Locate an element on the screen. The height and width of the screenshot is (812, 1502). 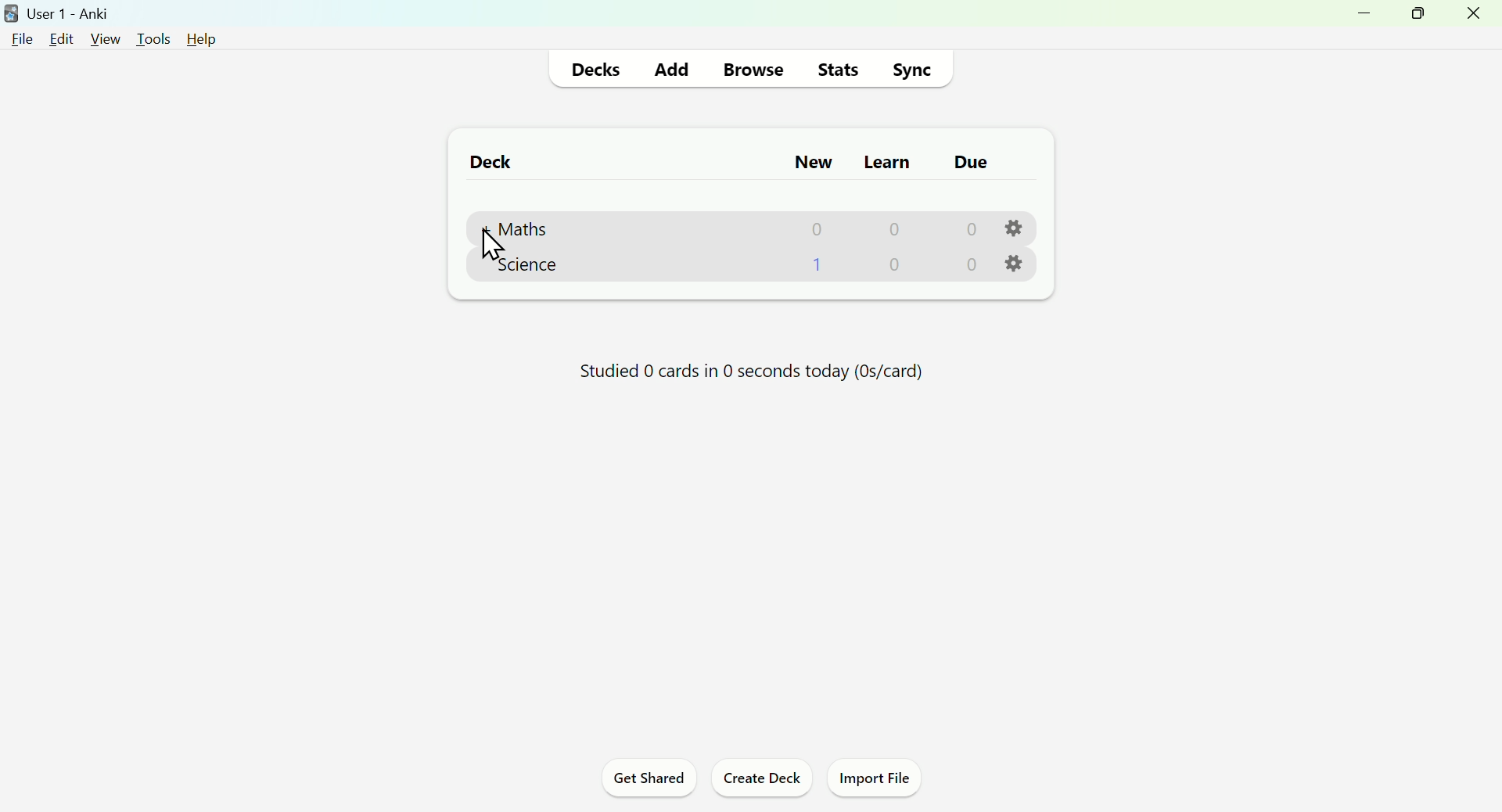
View is located at coordinates (104, 38).